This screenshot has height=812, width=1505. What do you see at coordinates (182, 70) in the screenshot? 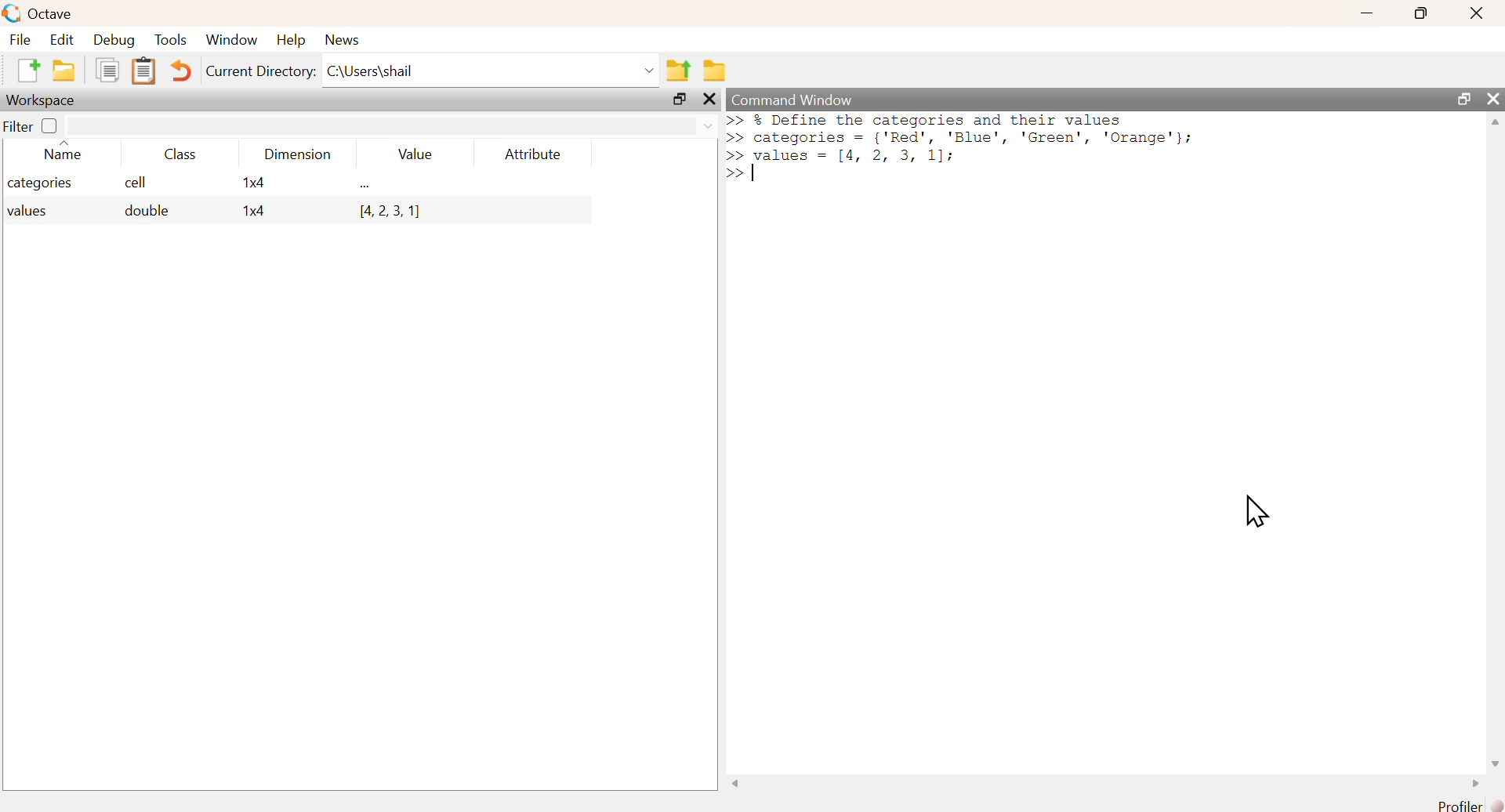
I see `Undo` at bounding box center [182, 70].